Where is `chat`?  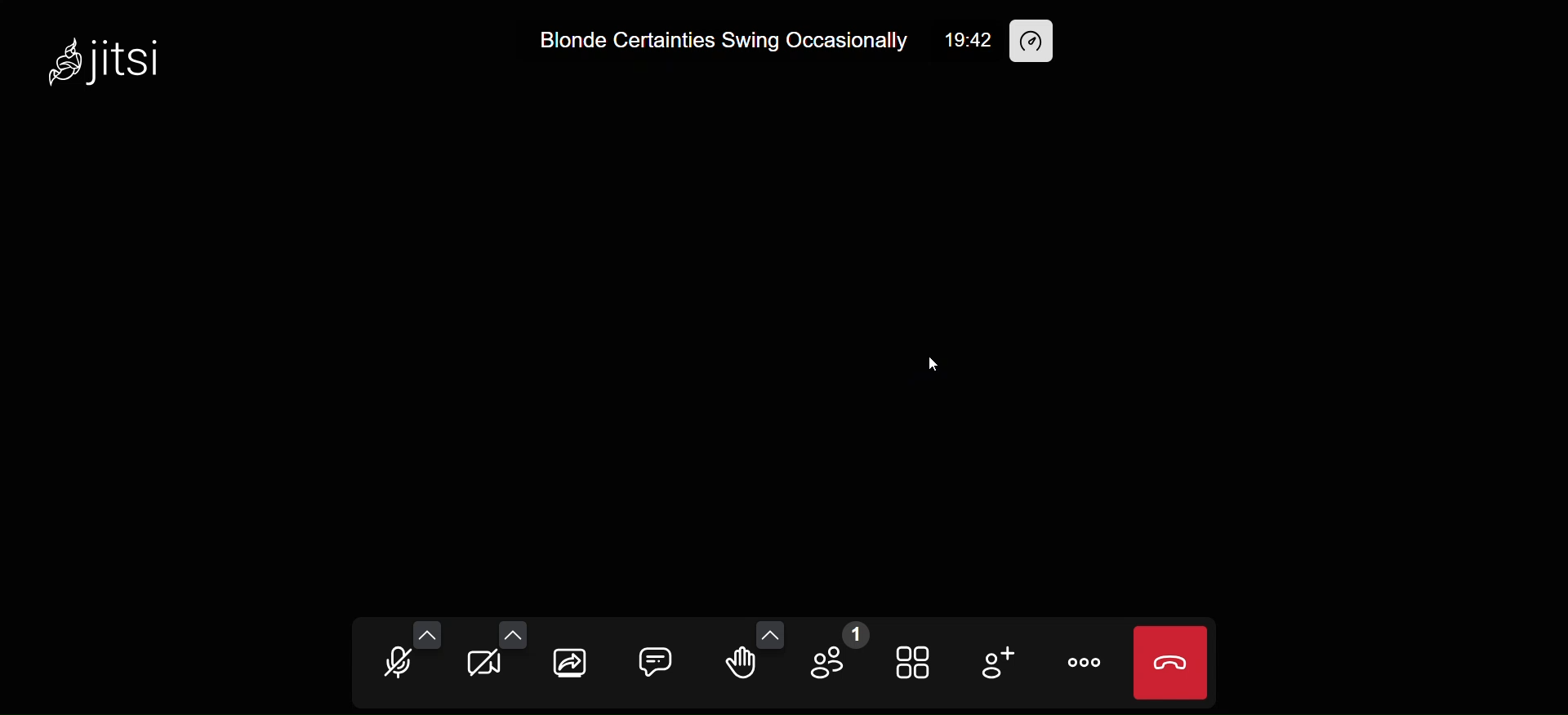
chat is located at coordinates (658, 660).